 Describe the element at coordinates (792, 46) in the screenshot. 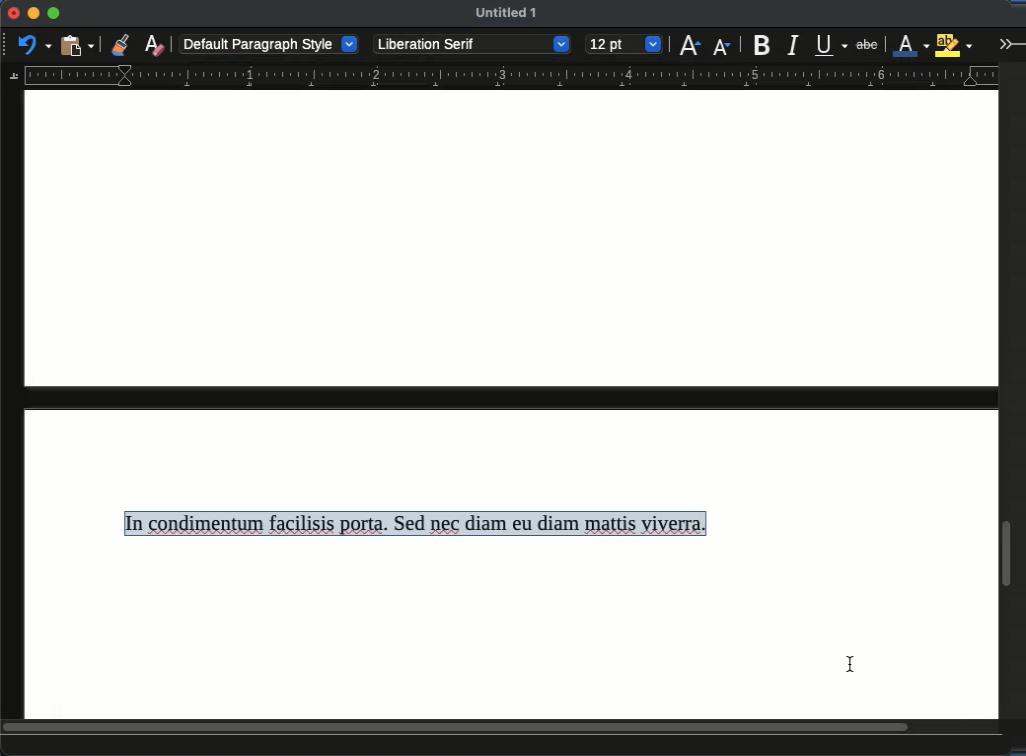

I see `italic` at that location.